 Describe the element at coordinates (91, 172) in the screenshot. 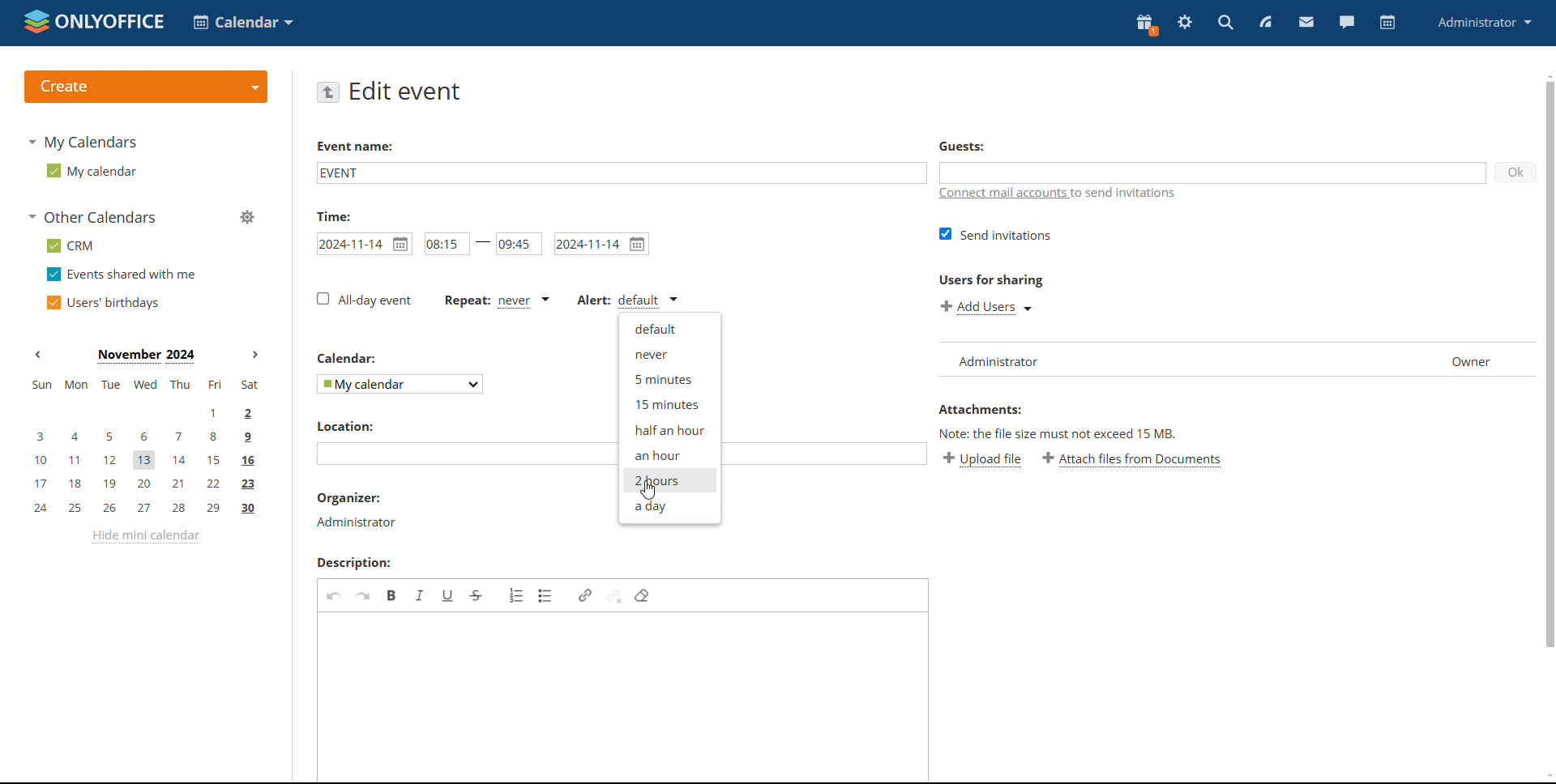

I see `my calendar` at that location.